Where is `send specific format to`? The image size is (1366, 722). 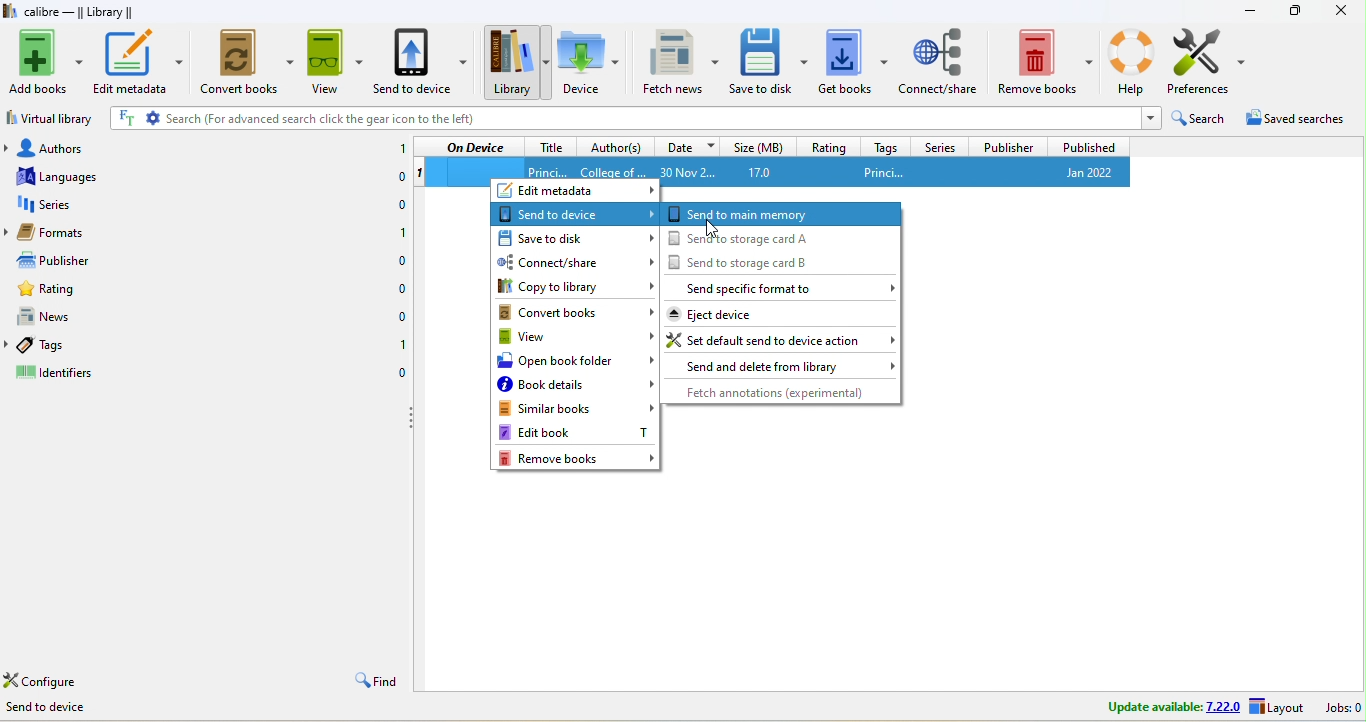
send specific format to is located at coordinates (781, 287).